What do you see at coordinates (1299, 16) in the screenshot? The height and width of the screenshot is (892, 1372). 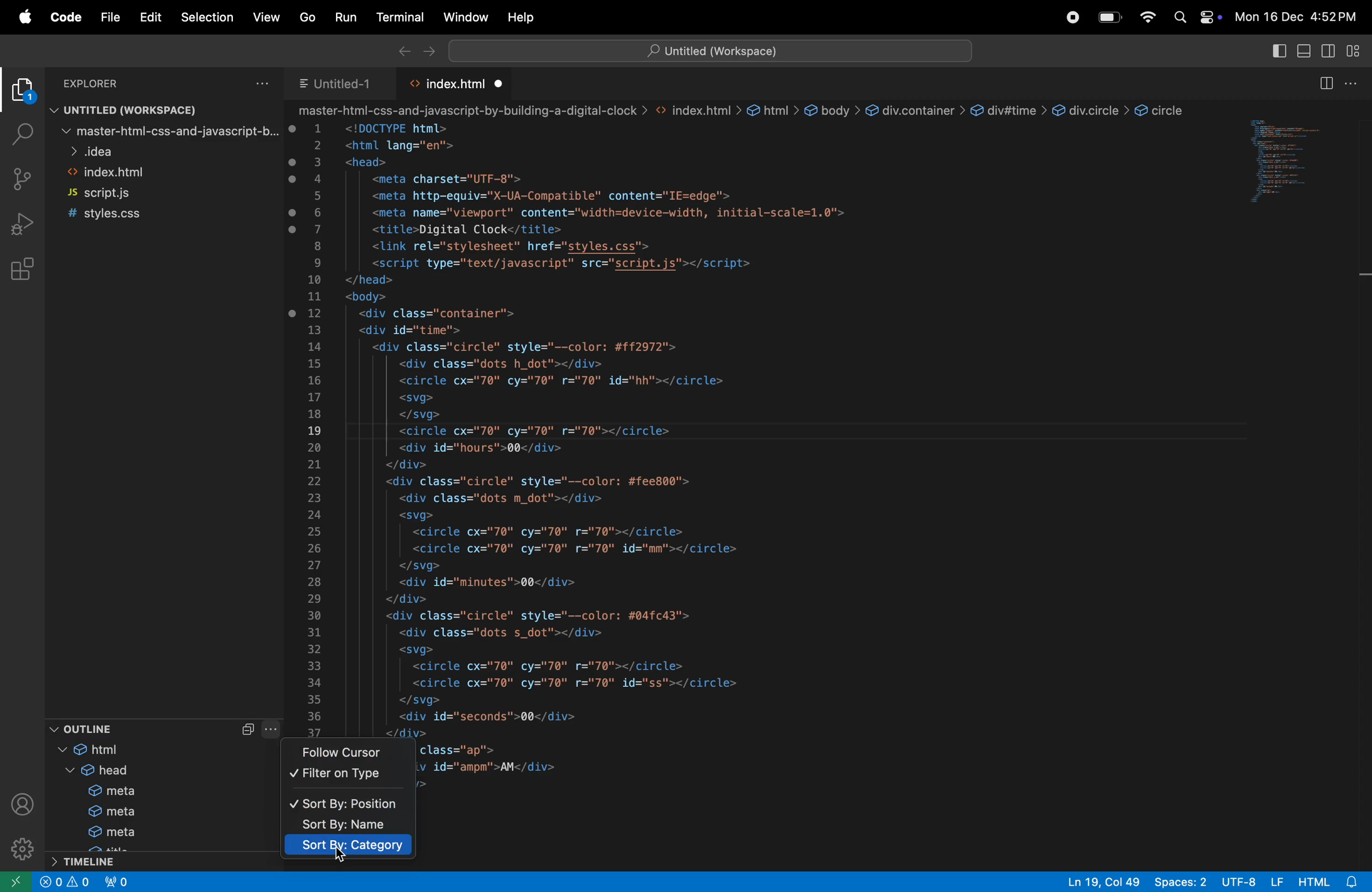 I see `date and time` at bounding box center [1299, 16].